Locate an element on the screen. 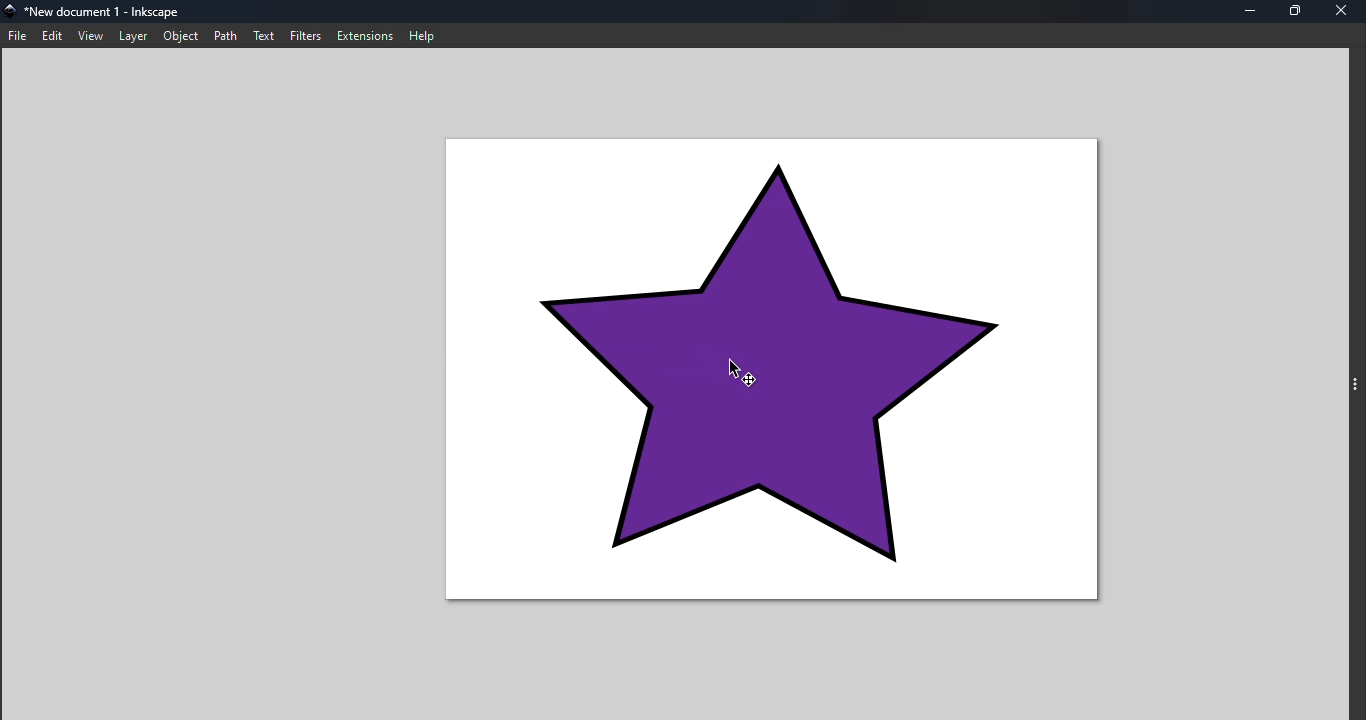 The height and width of the screenshot is (720, 1366). Layer is located at coordinates (135, 35).